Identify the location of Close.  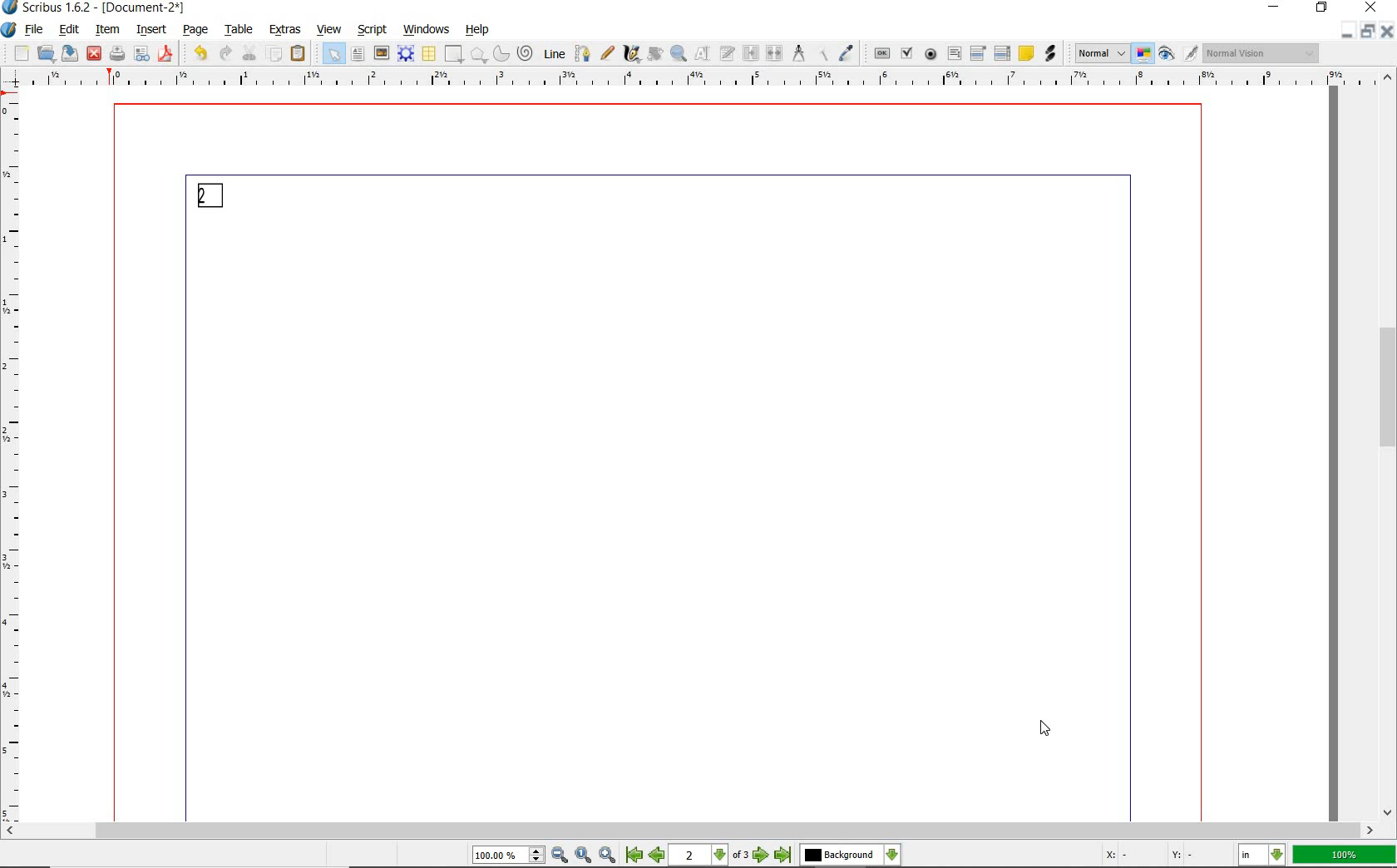
(1346, 31).